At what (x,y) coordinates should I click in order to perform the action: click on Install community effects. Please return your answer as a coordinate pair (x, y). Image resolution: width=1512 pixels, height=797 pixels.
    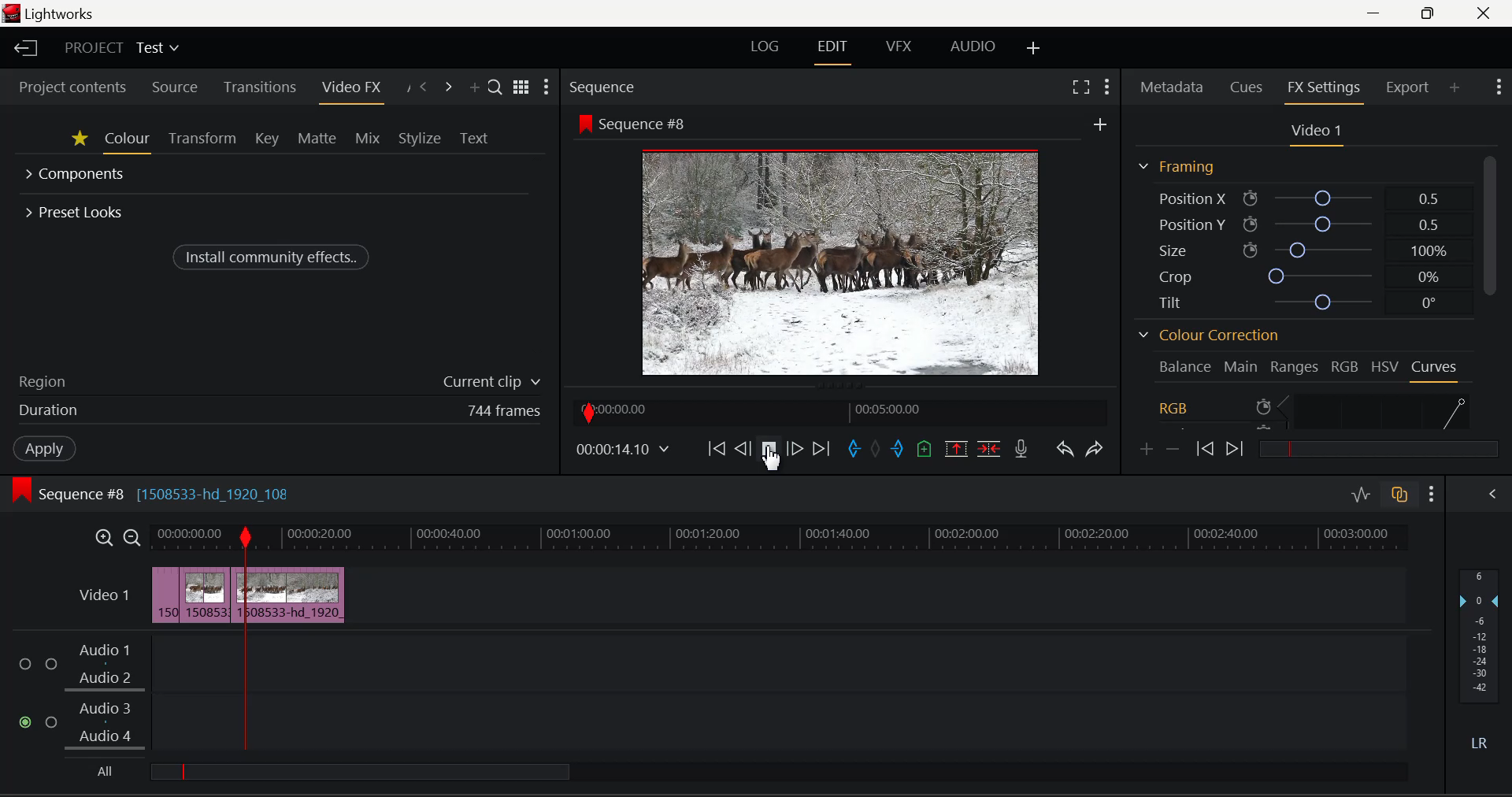
    Looking at the image, I should click on (273, 256).